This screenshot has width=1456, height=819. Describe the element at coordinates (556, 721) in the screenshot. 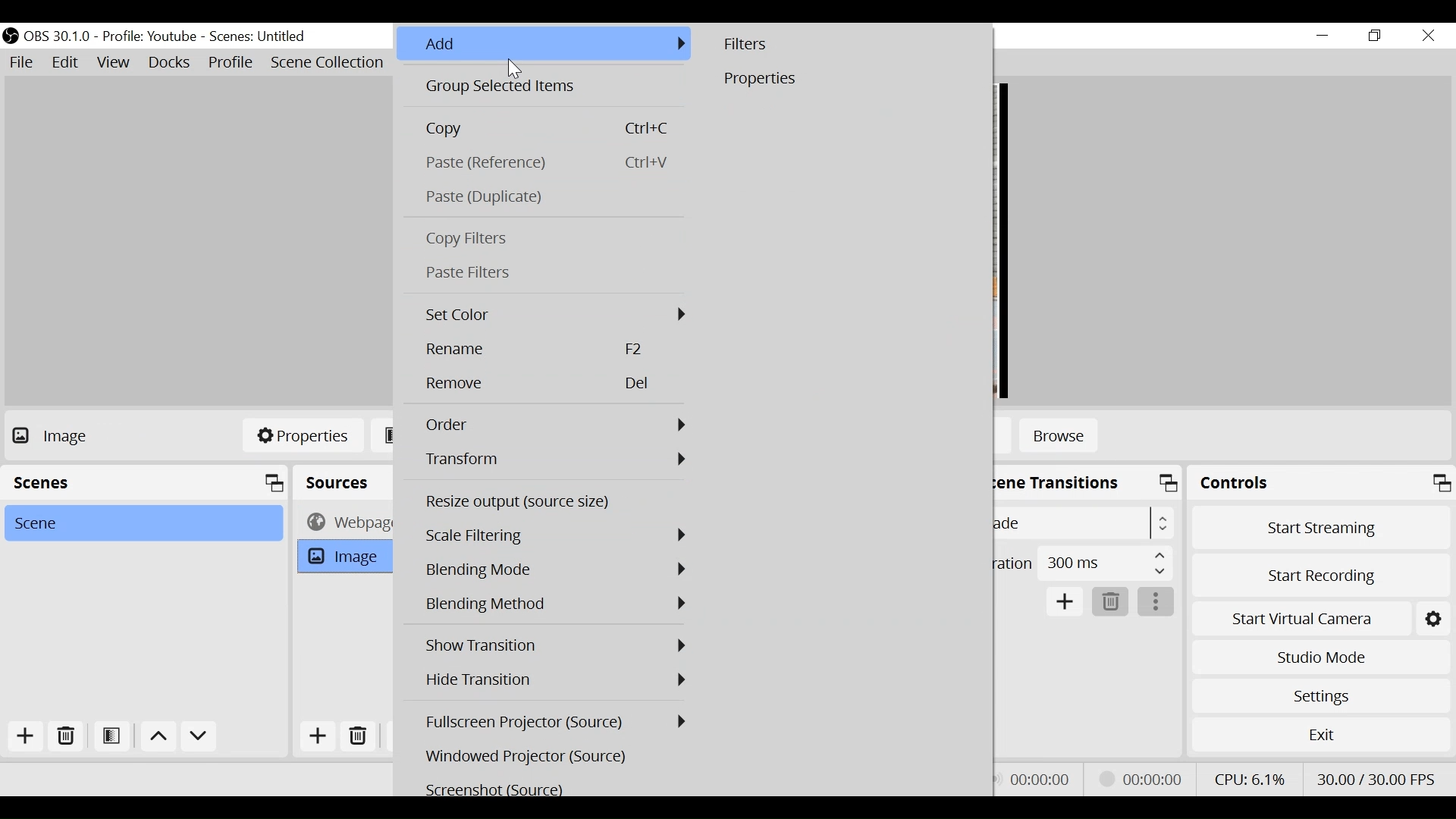

I see `Fullscreen Projector(Source` at that location.